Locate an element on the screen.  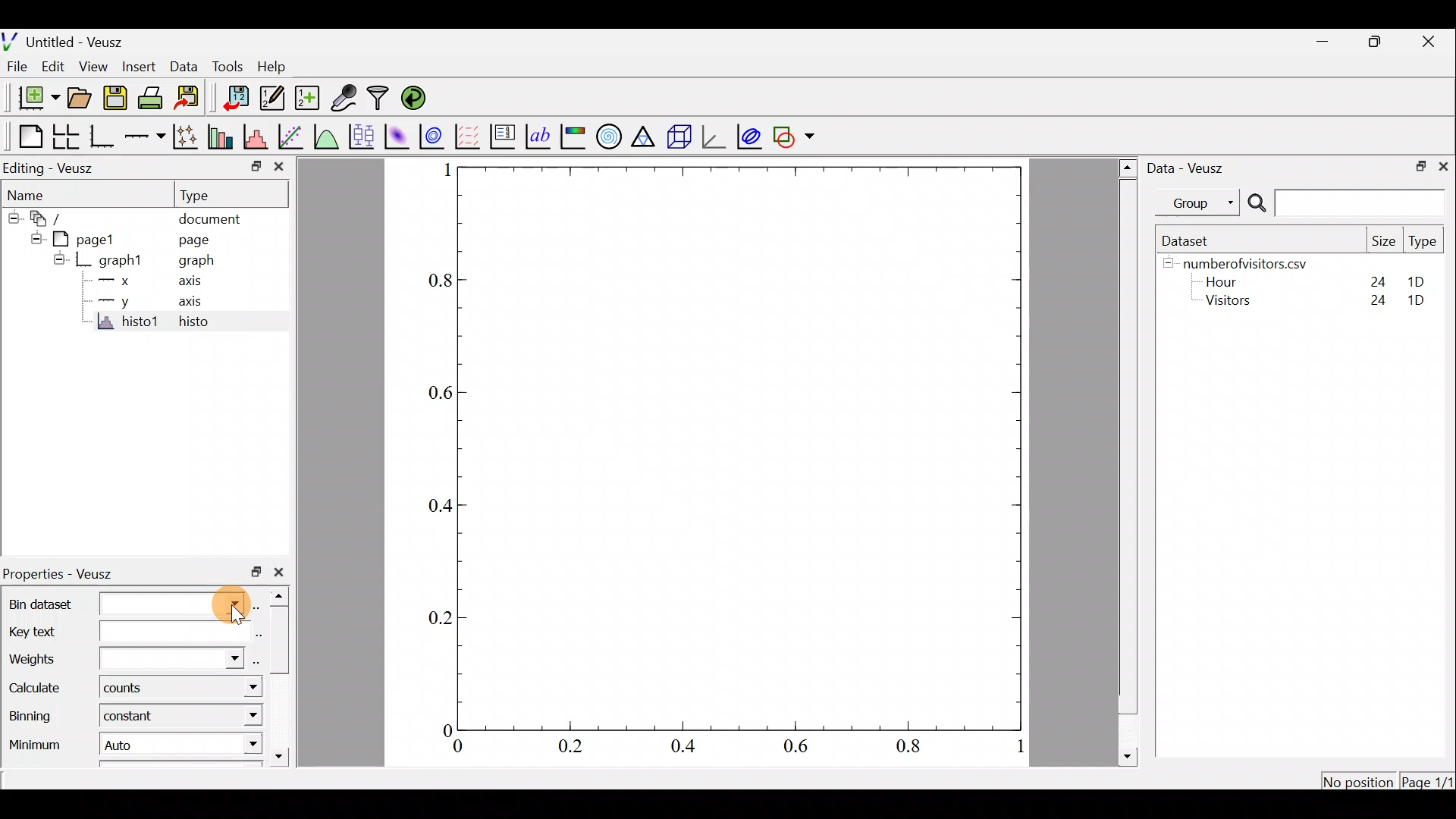
Minimum dropdown is located at coordinates (231, 745).